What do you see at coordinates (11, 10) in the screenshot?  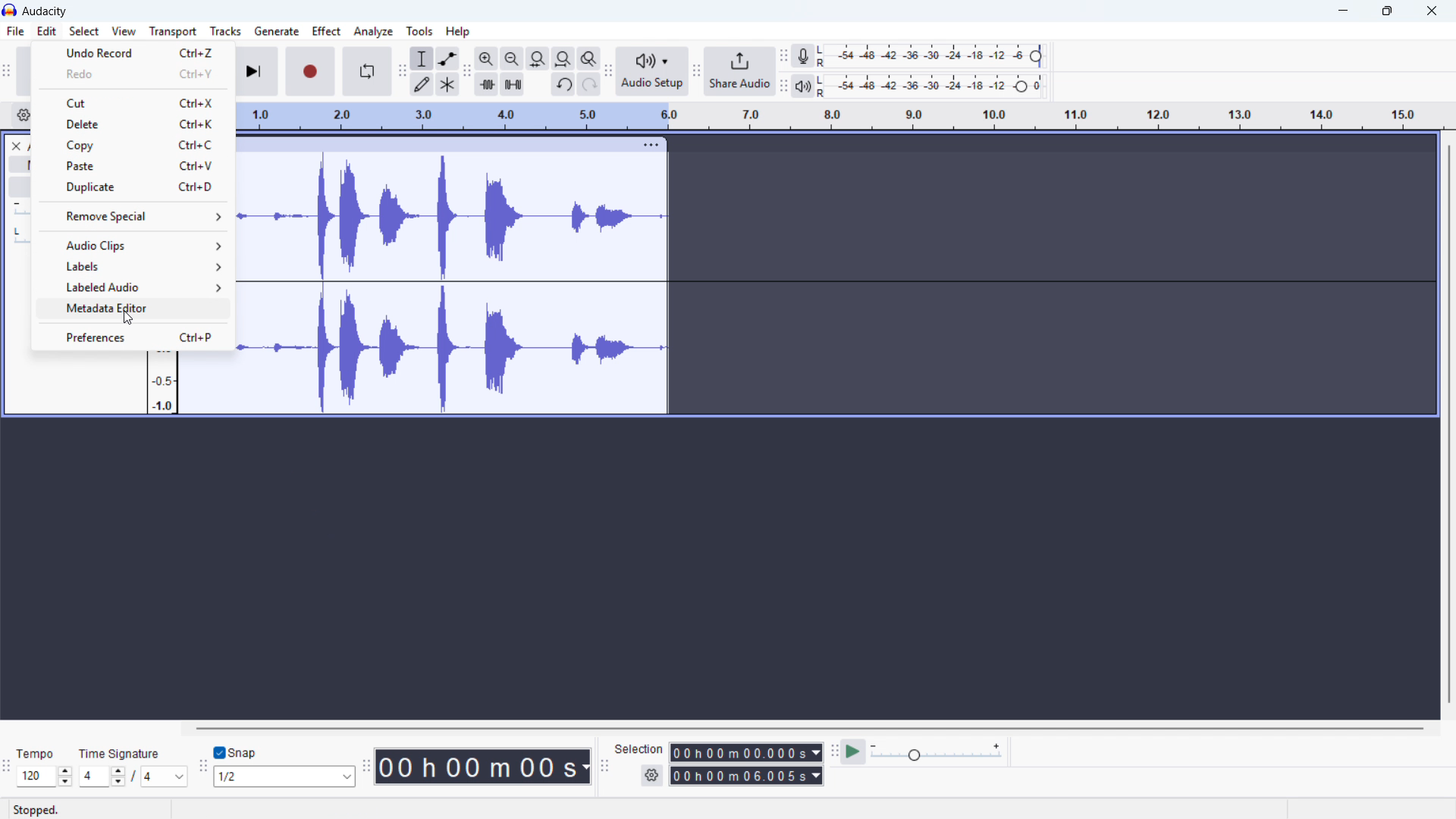 I see `logo` at bounding box center [11, 10].